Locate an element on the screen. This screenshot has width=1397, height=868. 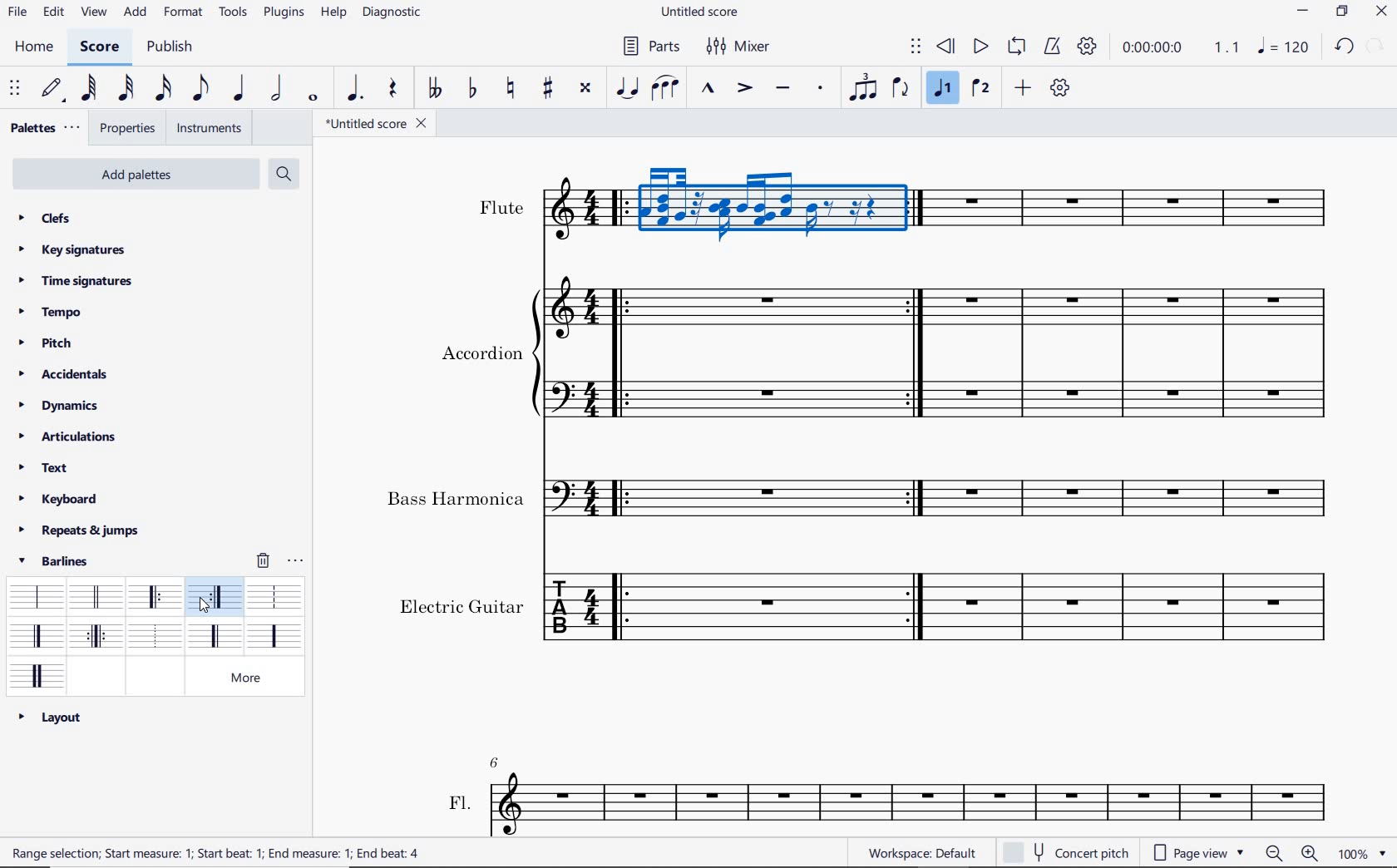
32nd note is located at coordinates (126, 89).